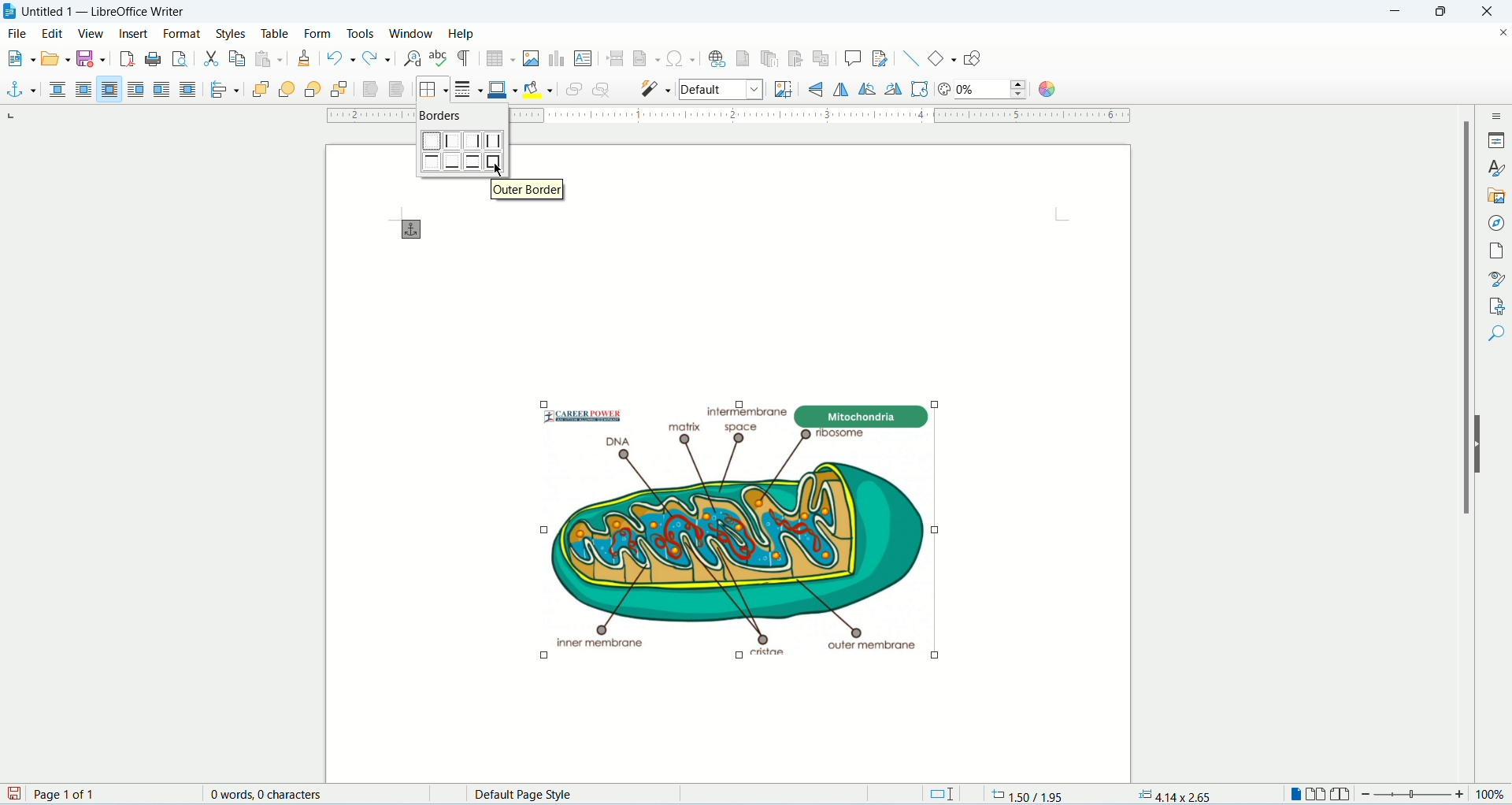 This screenshot has width=1512, height=805. What do you see at coordinates (212, 60) in the screenshot?
I see `cut` at bounding box center [212, 60].